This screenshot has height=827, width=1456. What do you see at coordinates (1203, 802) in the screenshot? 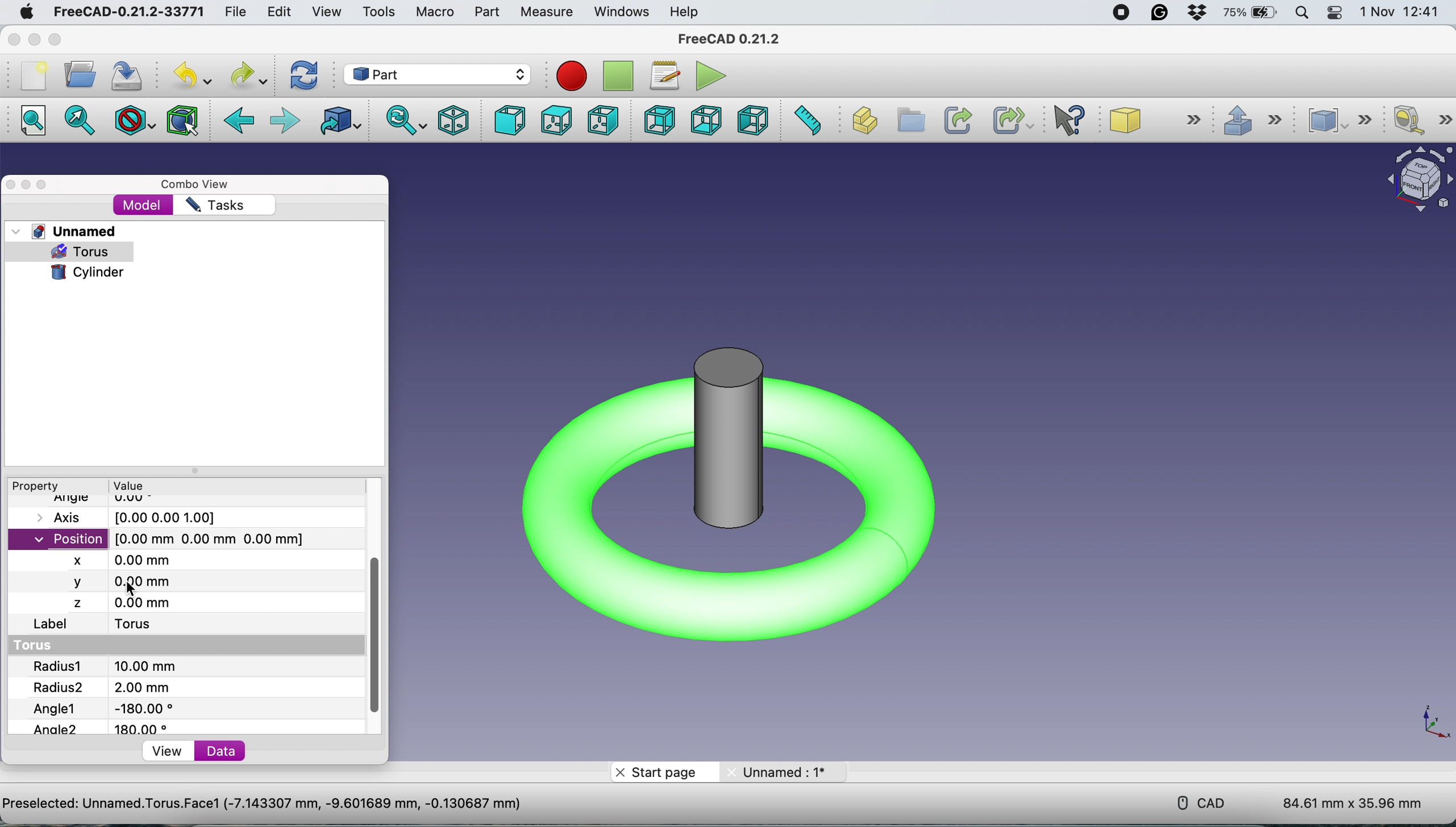
I see `cad` at bounding box center [1203, 802].